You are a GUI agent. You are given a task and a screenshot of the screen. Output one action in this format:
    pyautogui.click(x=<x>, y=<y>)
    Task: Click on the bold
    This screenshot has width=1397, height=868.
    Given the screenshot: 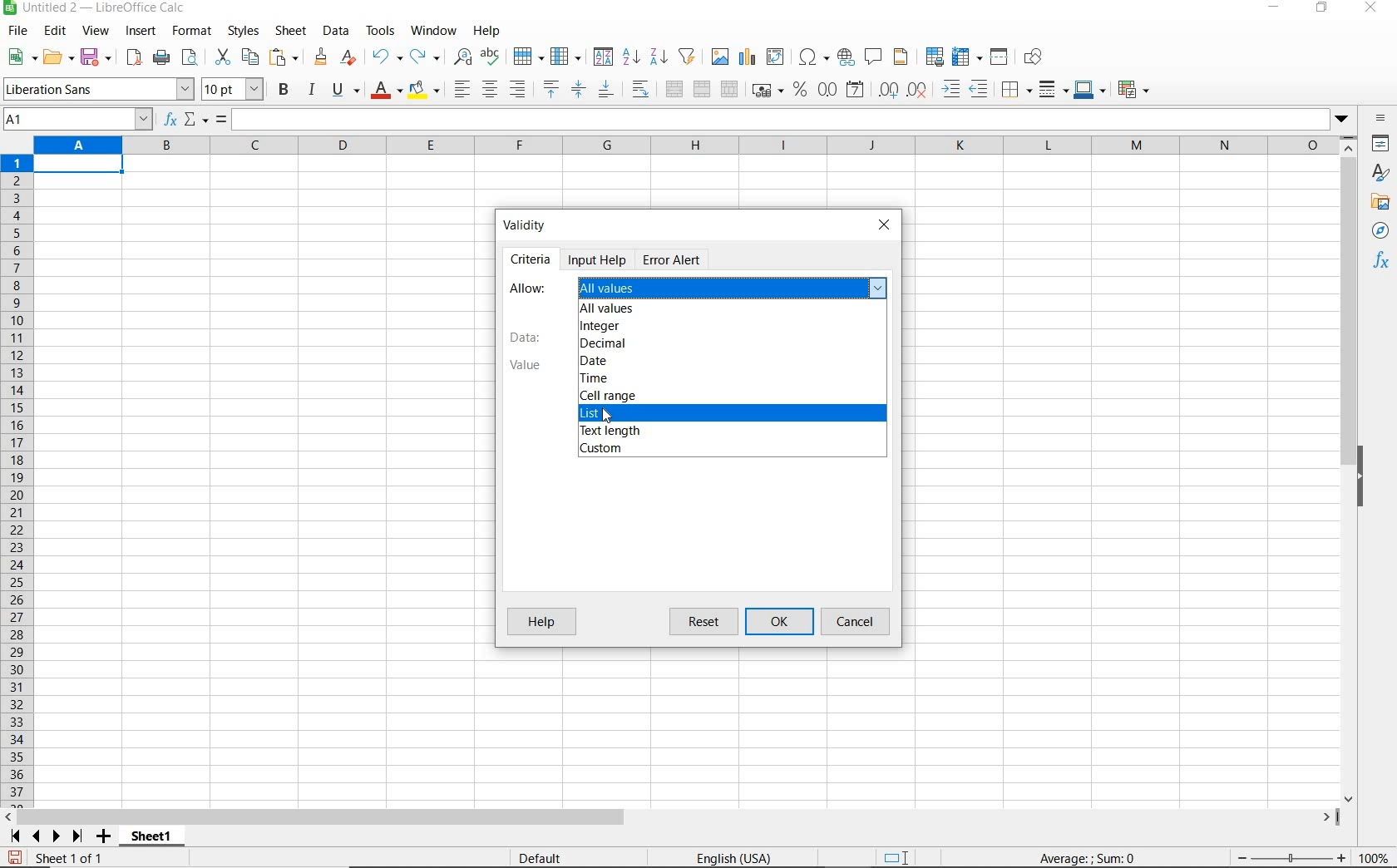 What is the action you would take?
    pyautogui.click(x=285, y=89)
    